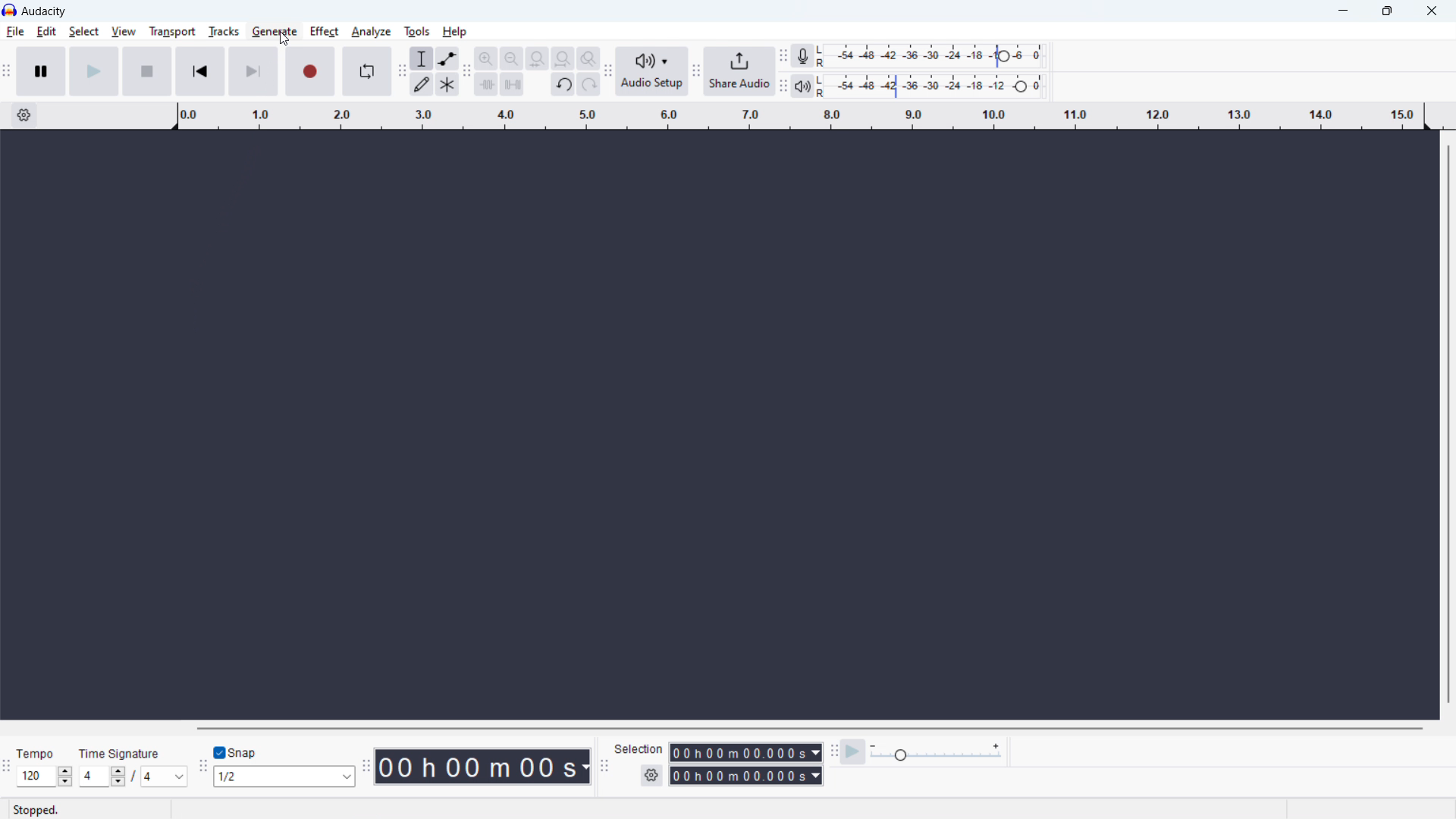 This screenshot has height=819, width=1456. Describe the element at coordinates (235, 752) in the screenshot. I see `toggle snap` at that location.